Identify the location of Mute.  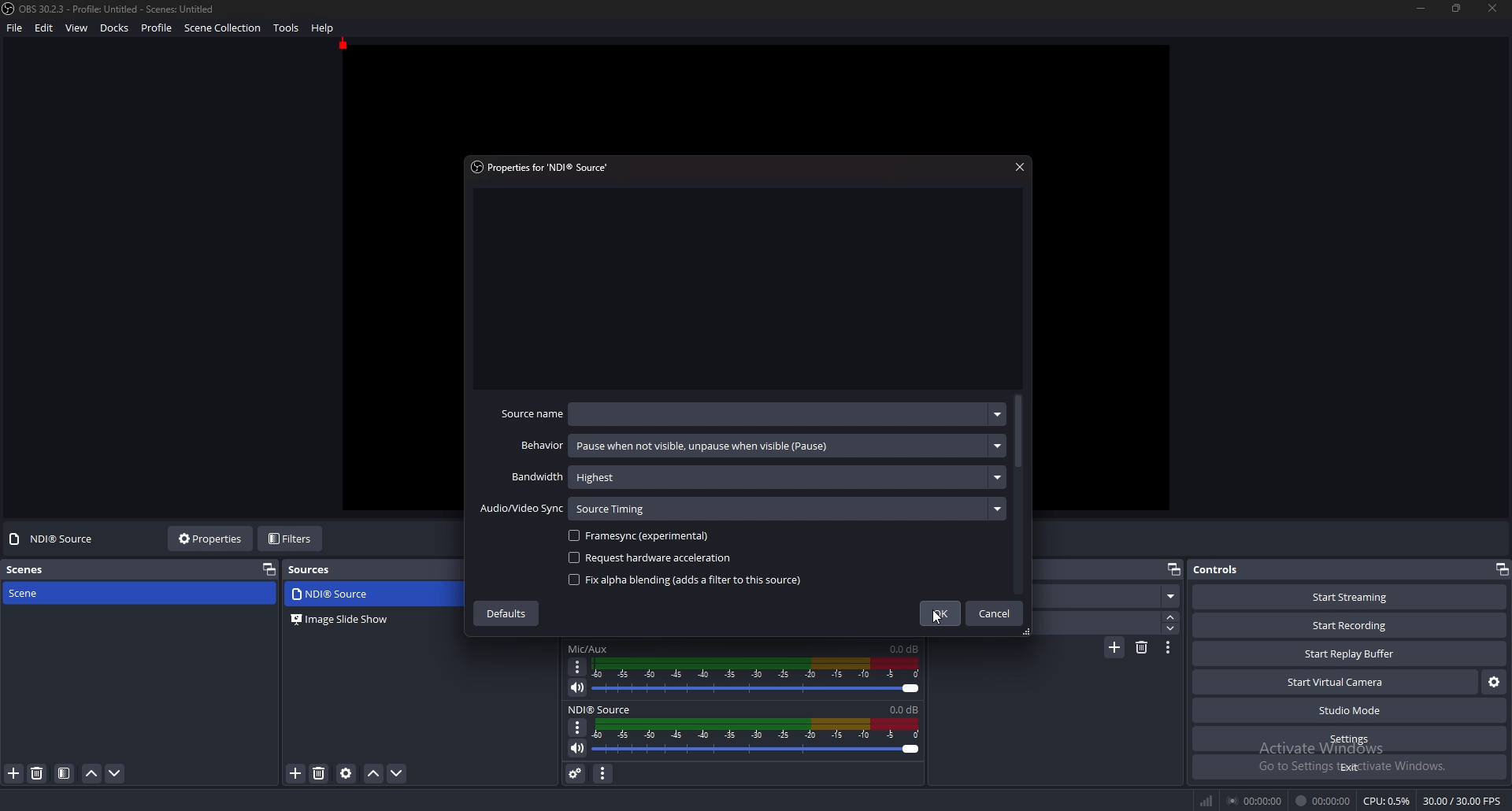
(573, 749).